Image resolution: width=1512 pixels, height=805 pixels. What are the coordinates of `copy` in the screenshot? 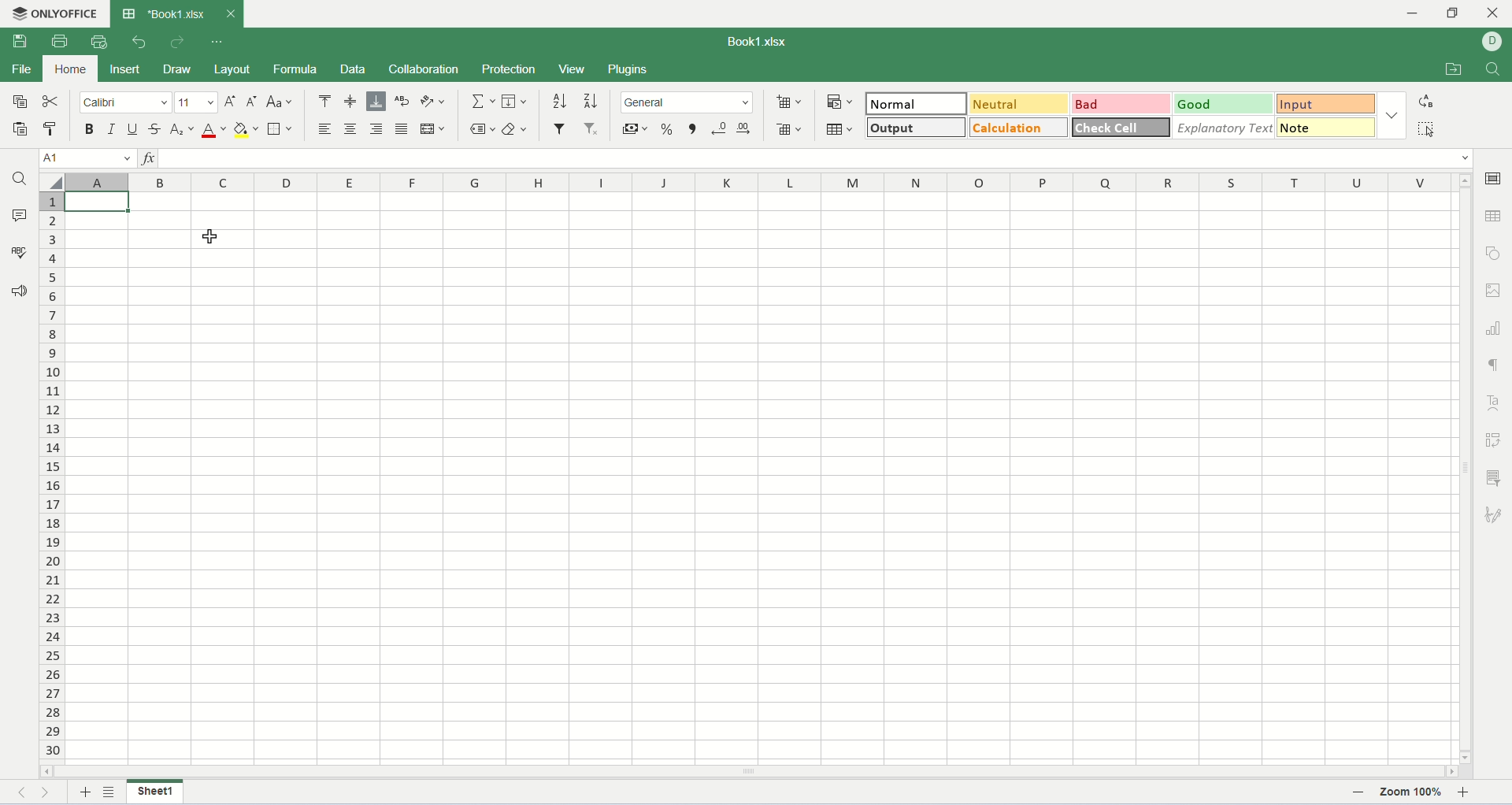 It's located at (16, 100).